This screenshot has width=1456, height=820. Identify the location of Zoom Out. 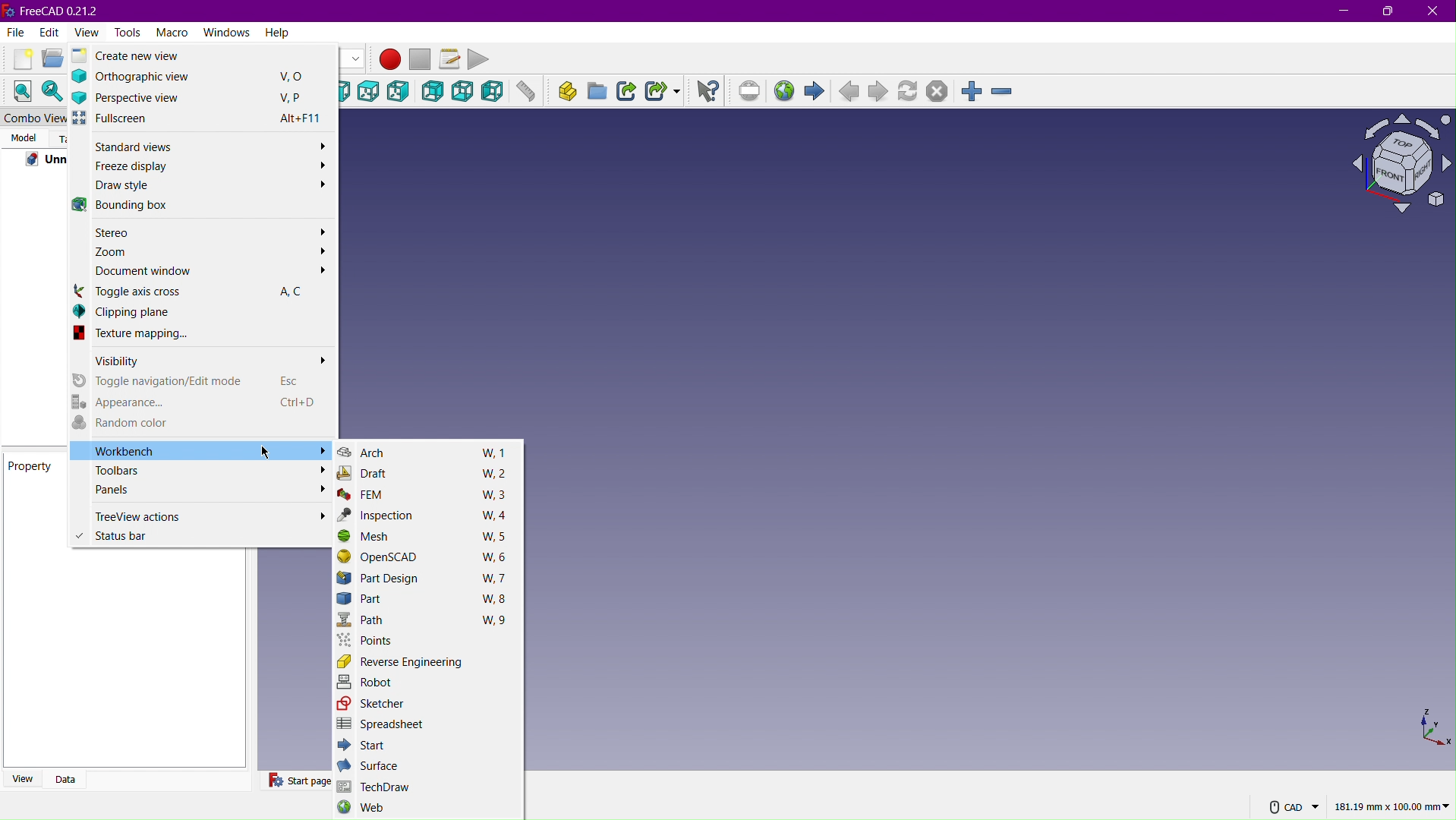
(1001, 92).